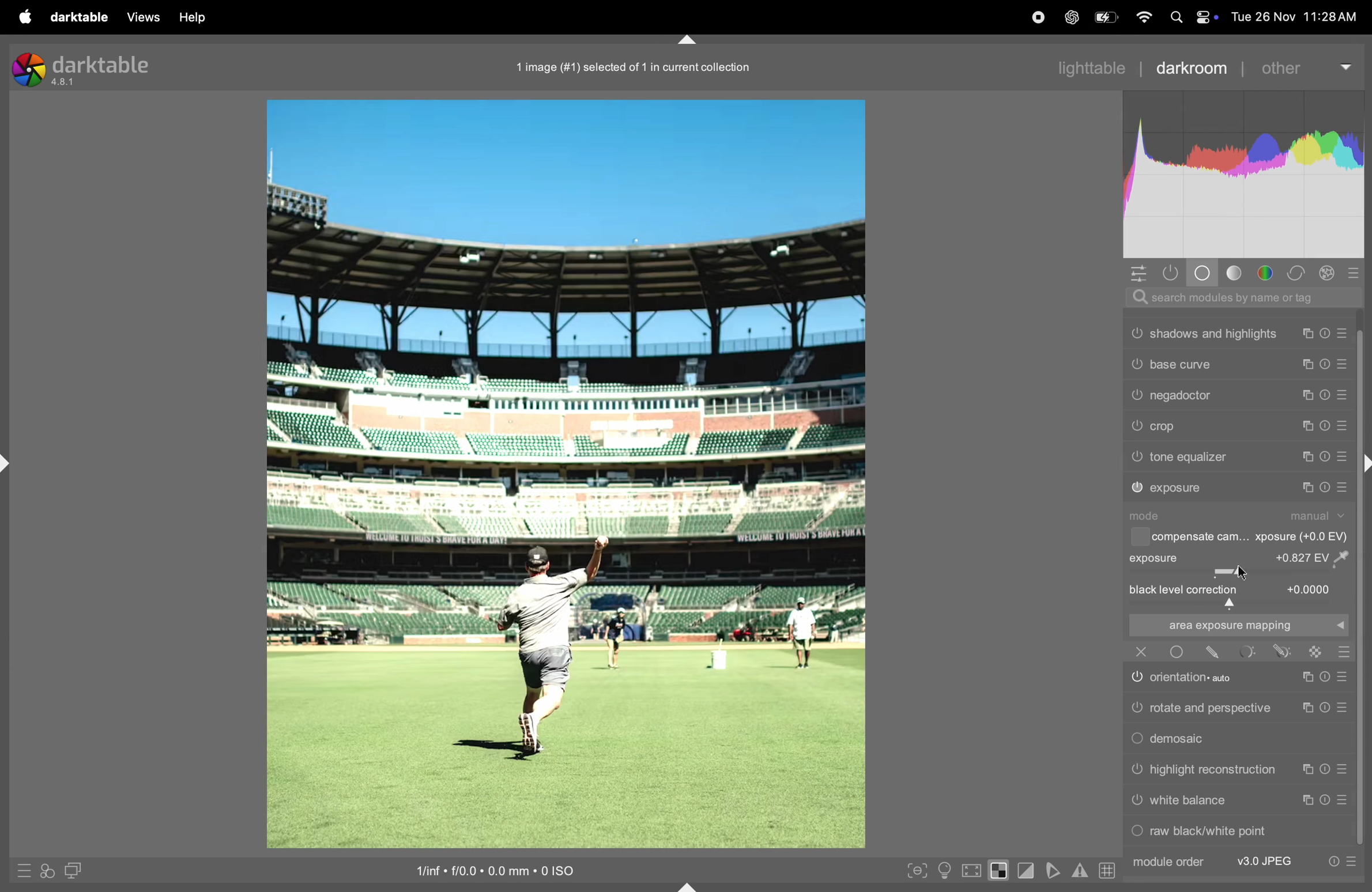 The height and width of the screenshot is (892, 1372). What do you see at coordinates (1344, 770) in the screenshot?
I see `Preset` at bounding box center [1344, 770].